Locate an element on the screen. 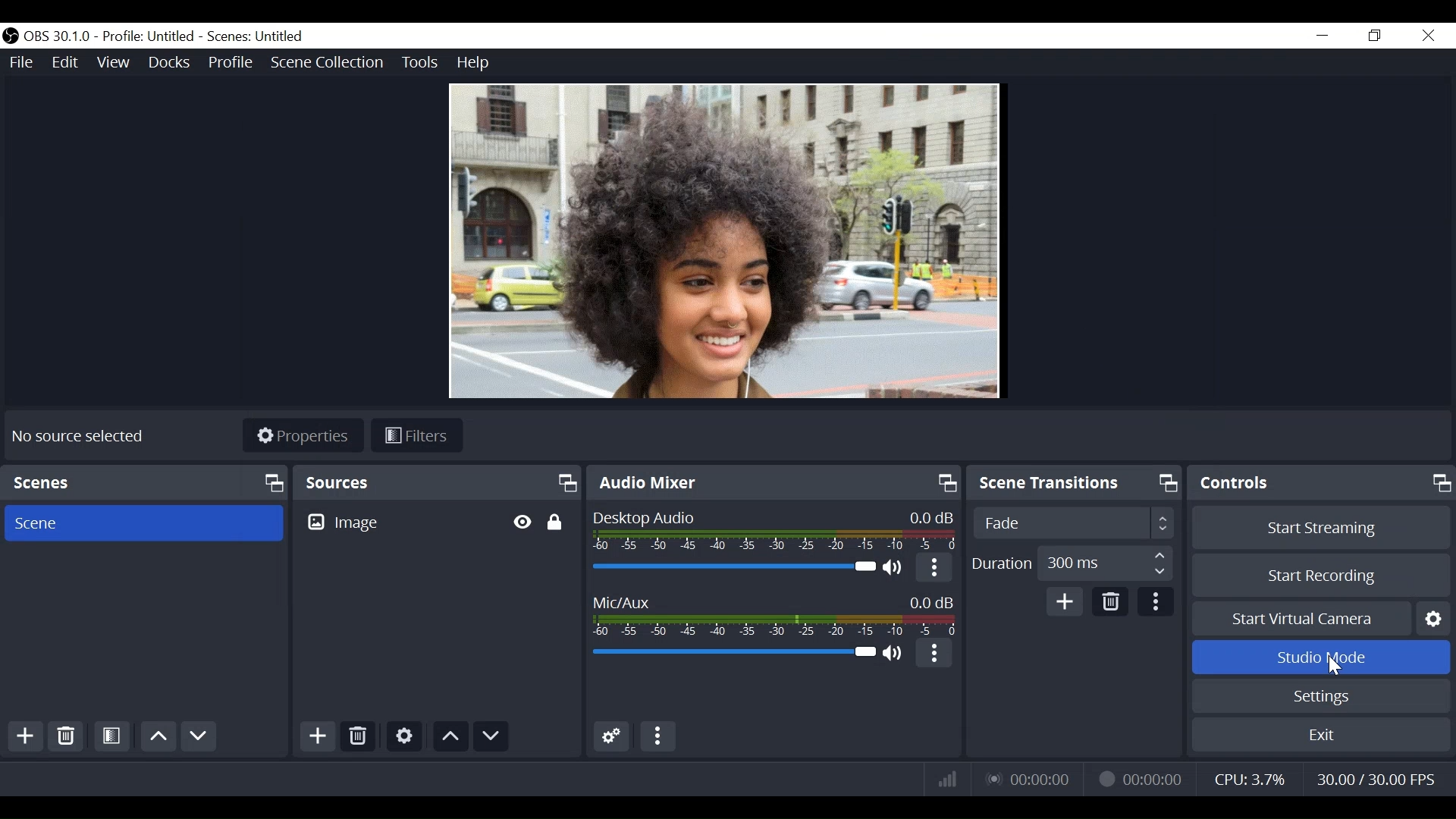 Image resolution: width=1456 pixels, height=819 pixels. More Options is located at coordinates (935, 657).